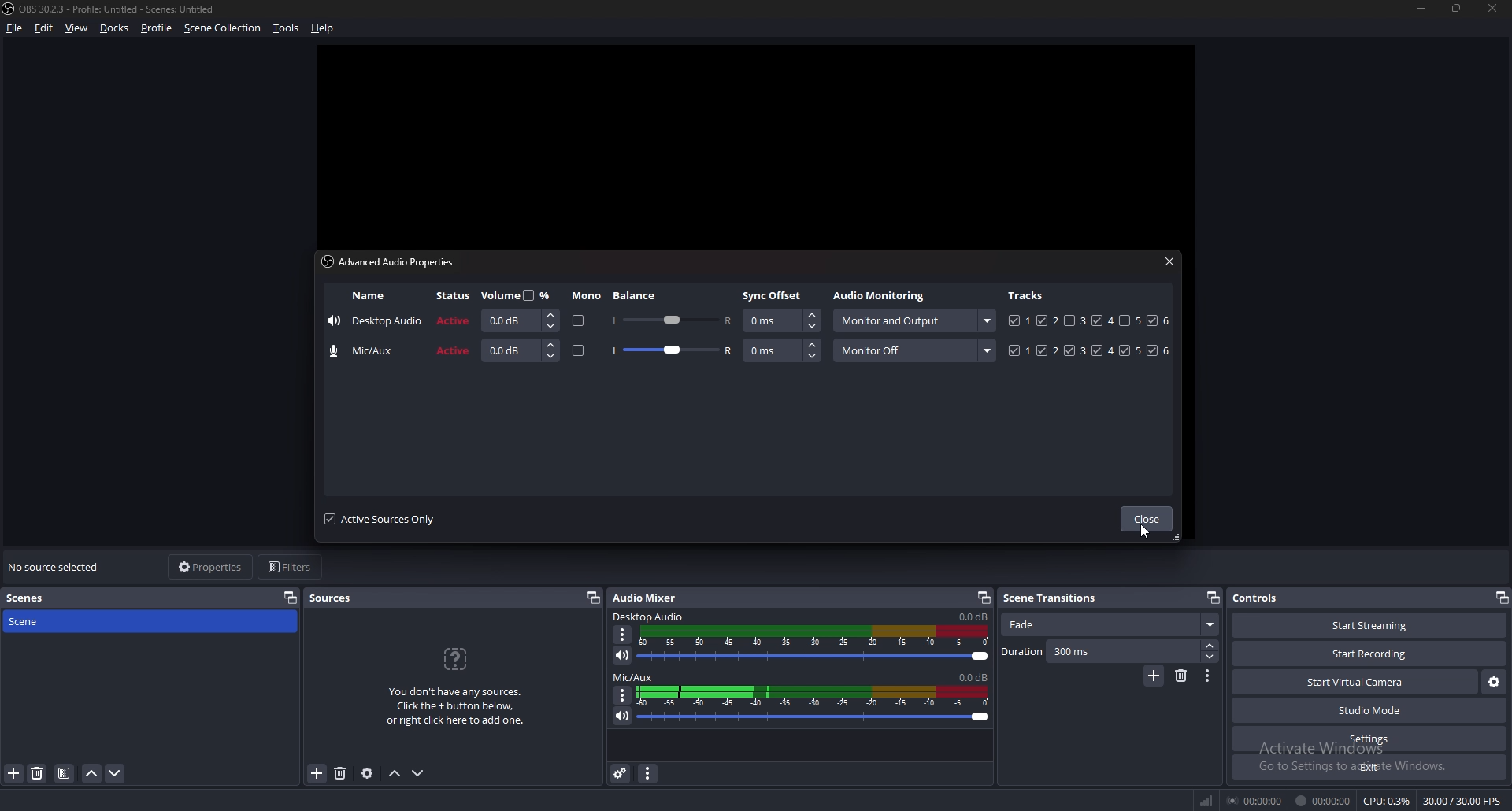 This screenshot has width=1512, height=811. I want to click on file, so click(16, 28).